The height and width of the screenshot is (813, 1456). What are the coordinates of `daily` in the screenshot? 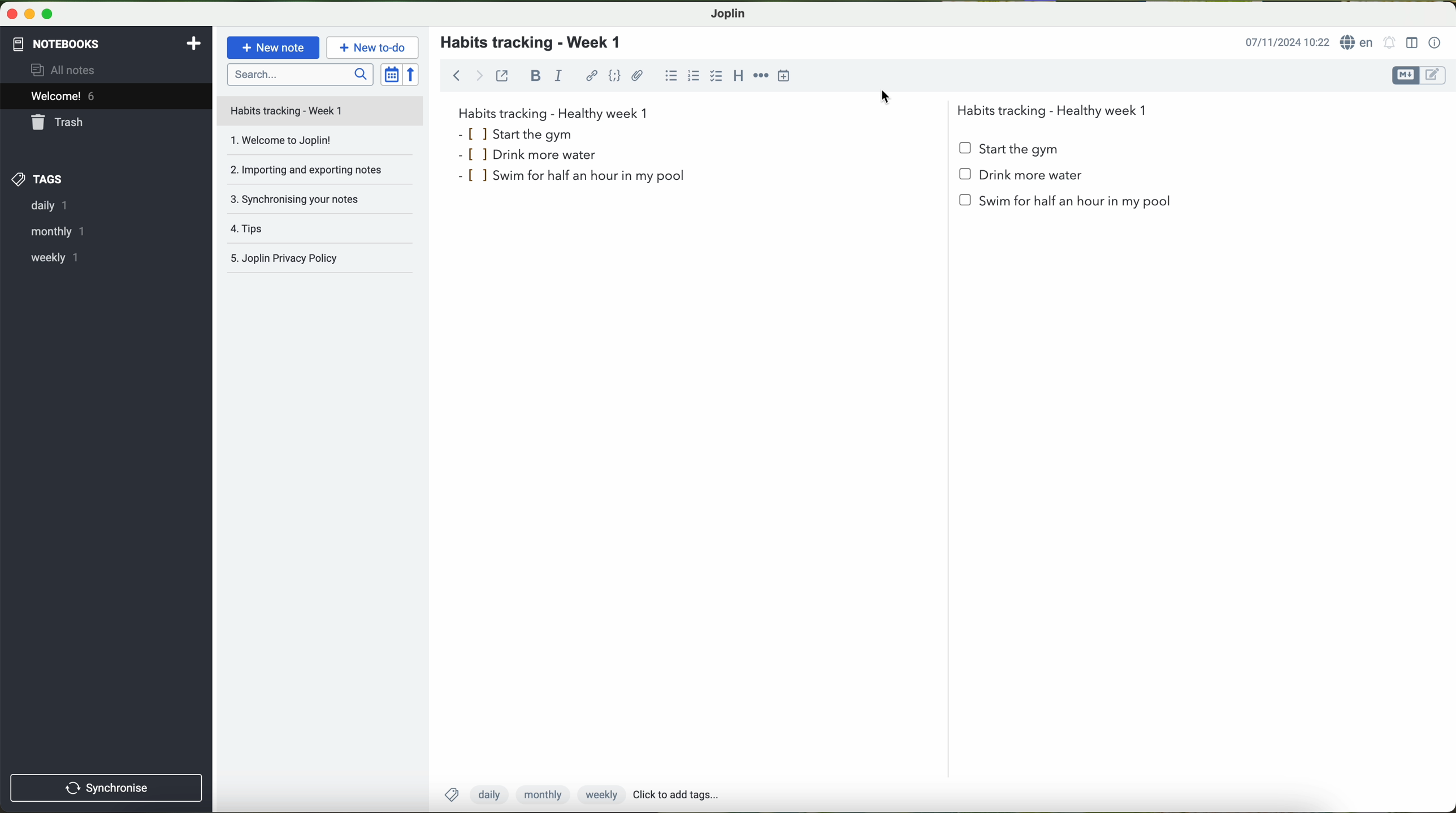 It's located at (488, 795).